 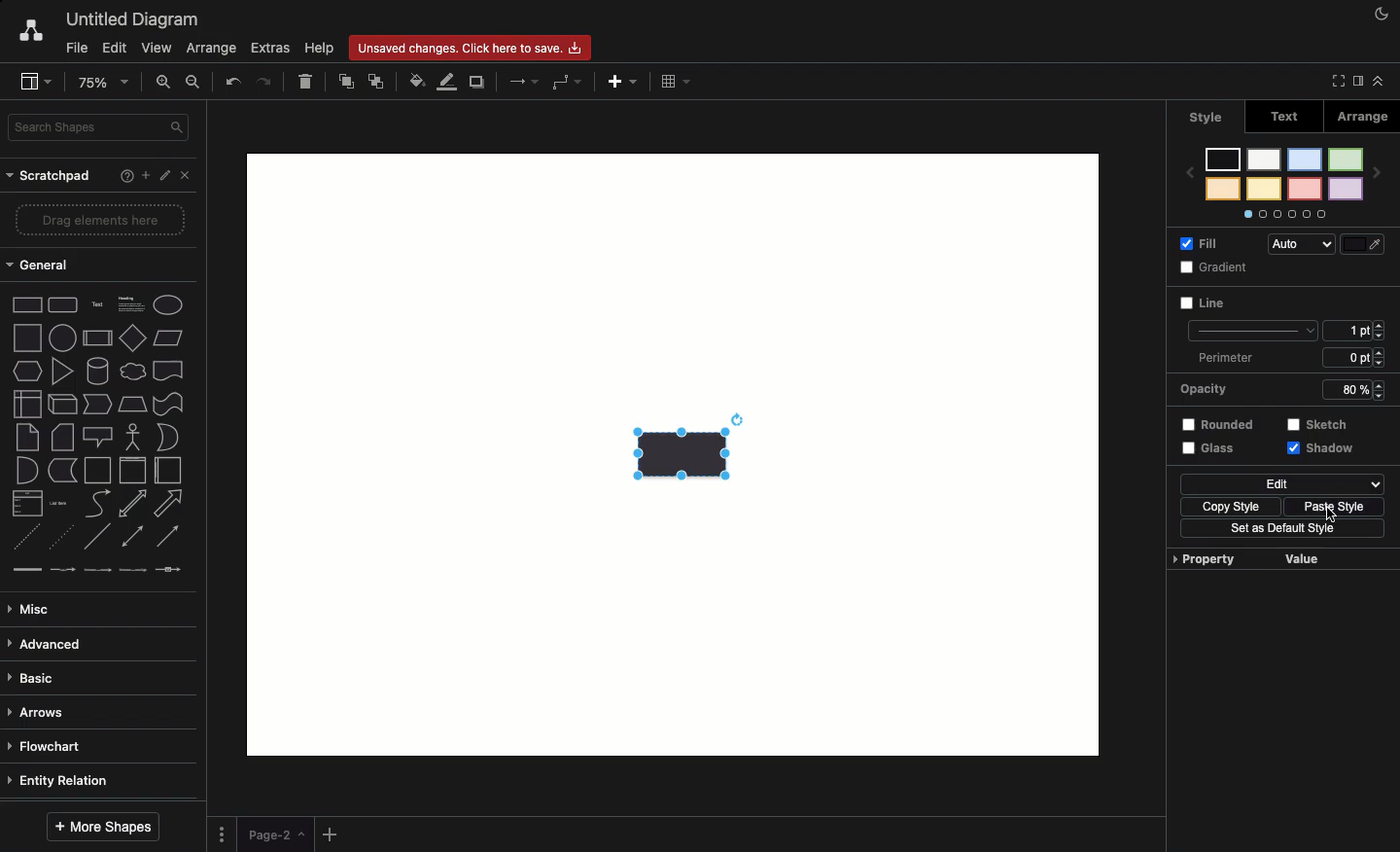 What do you see at coordinates (1201, 243) in the screenshot?
I see `Fill` at bounding box center [1201, 243].